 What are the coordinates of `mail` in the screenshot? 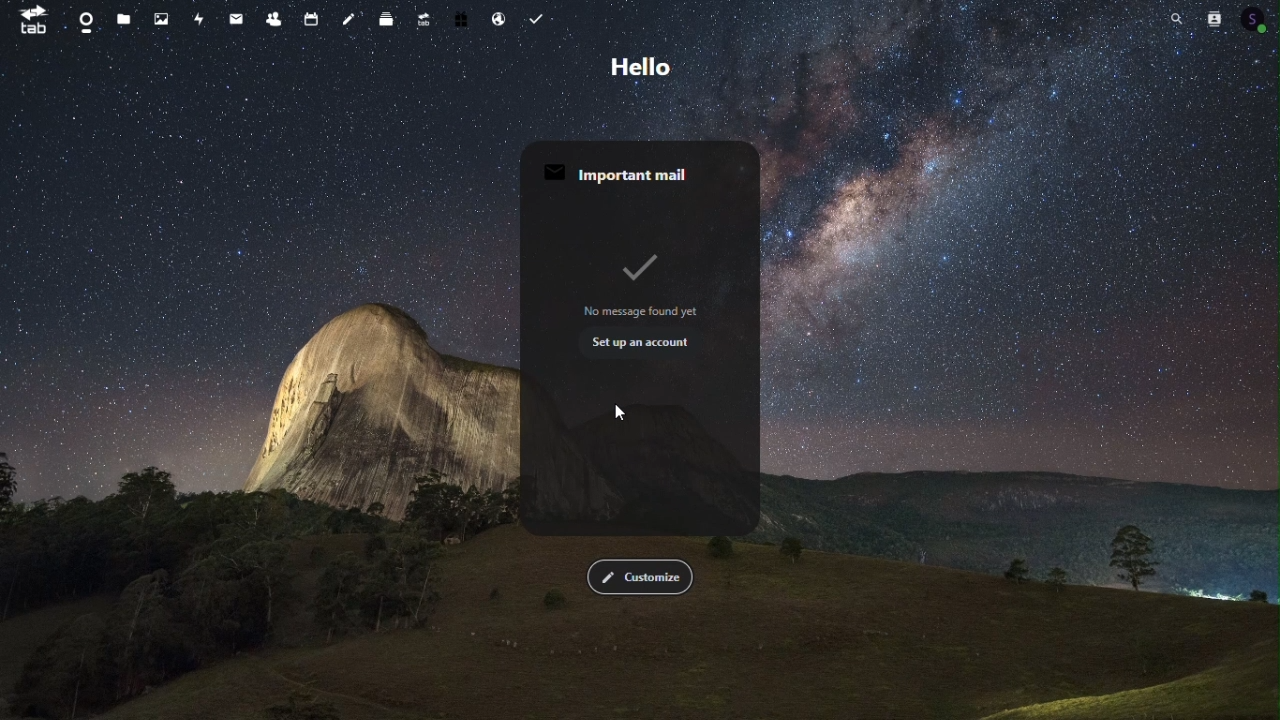 It's located at (236, 17).